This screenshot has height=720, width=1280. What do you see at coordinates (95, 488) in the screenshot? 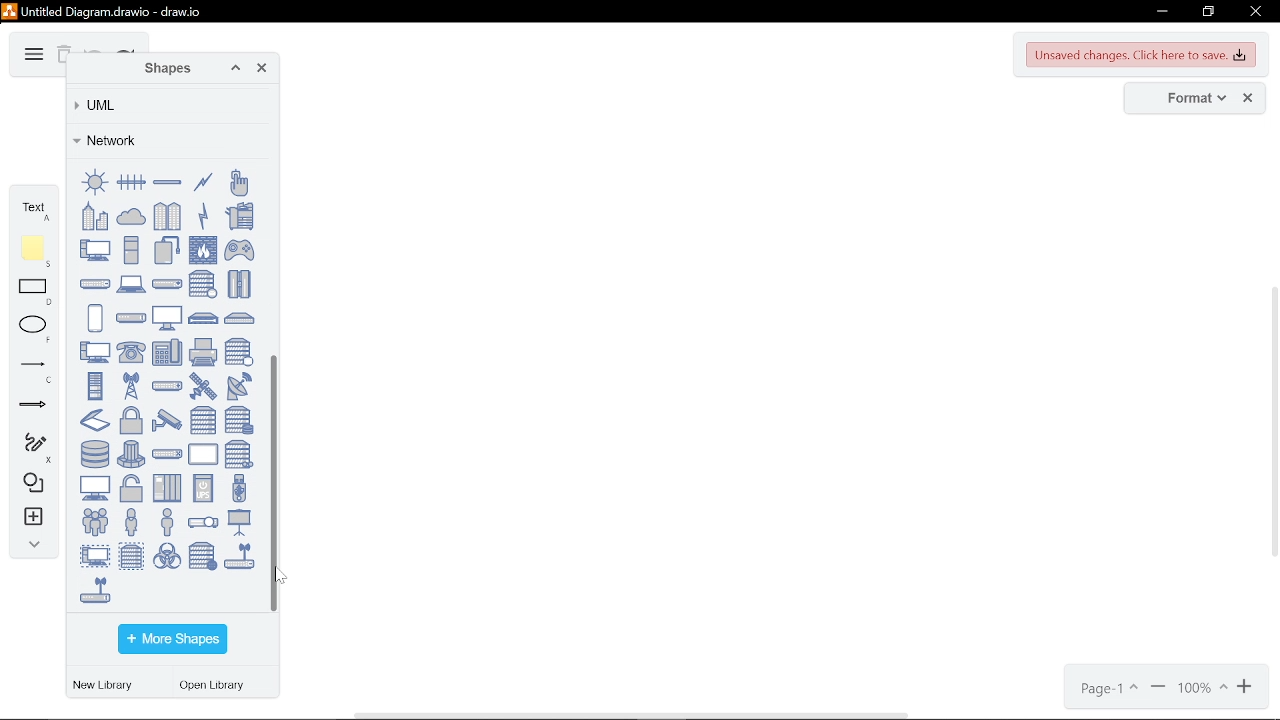
I see `terminal` at bounding box center [95, 488].